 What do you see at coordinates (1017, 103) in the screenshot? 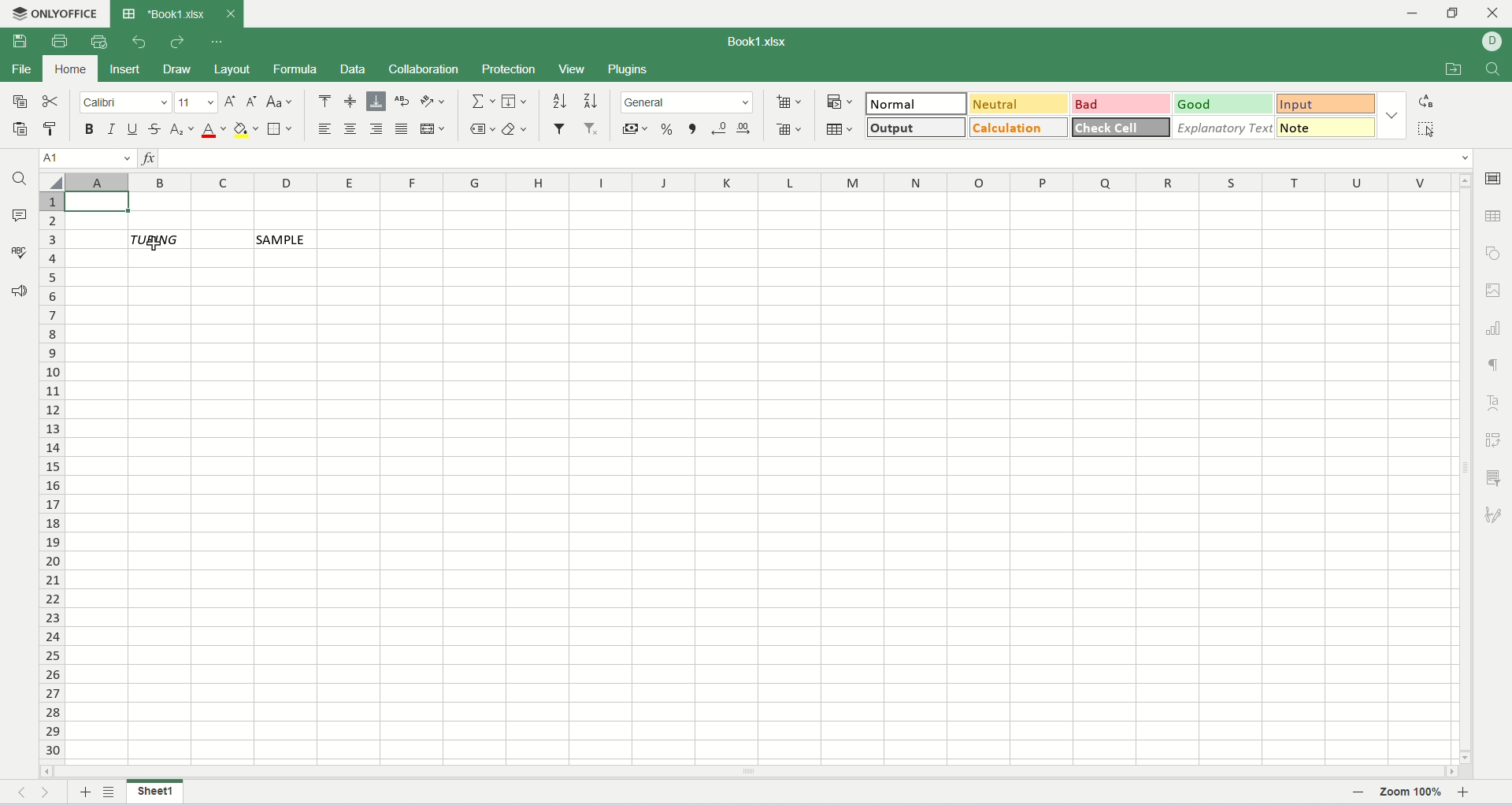
I see `neutral` at bounding box center [1017, 103].